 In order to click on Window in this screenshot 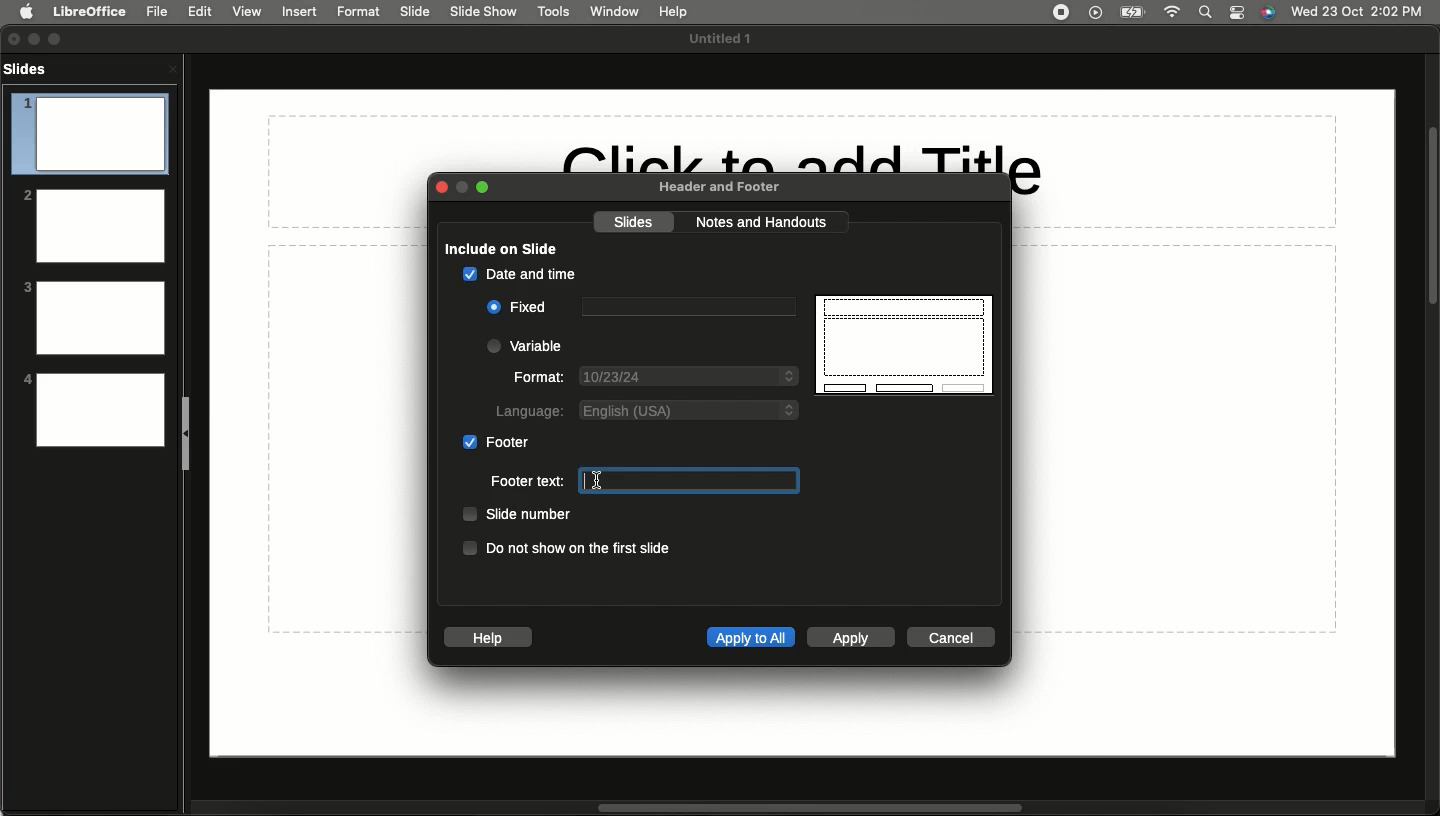, I will do `click(611, 11)`.